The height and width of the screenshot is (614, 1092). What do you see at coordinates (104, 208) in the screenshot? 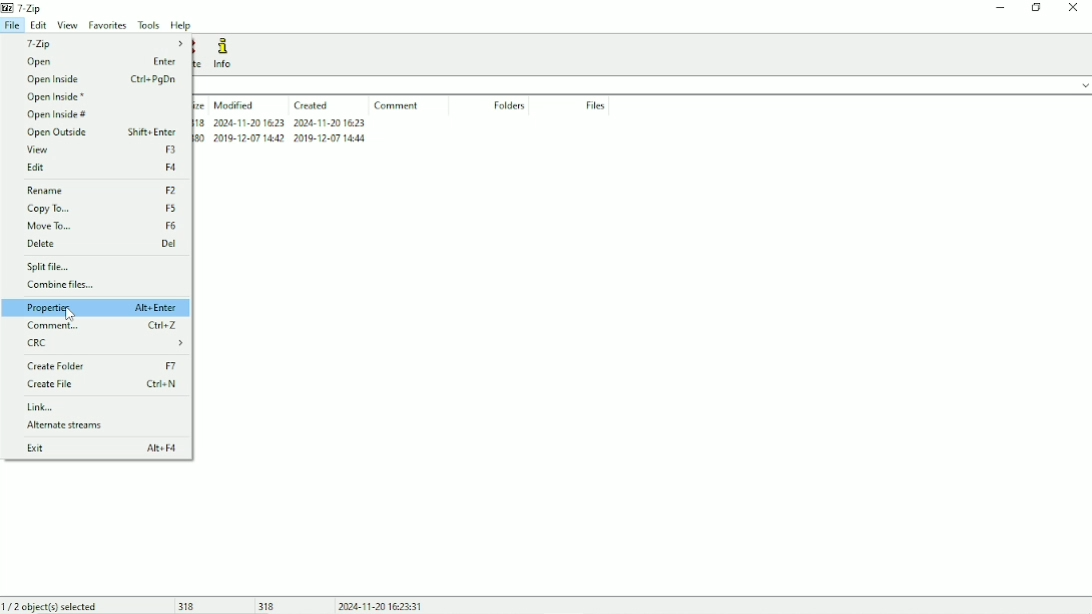
I see `Copy To` at bounding box center [104, 208].